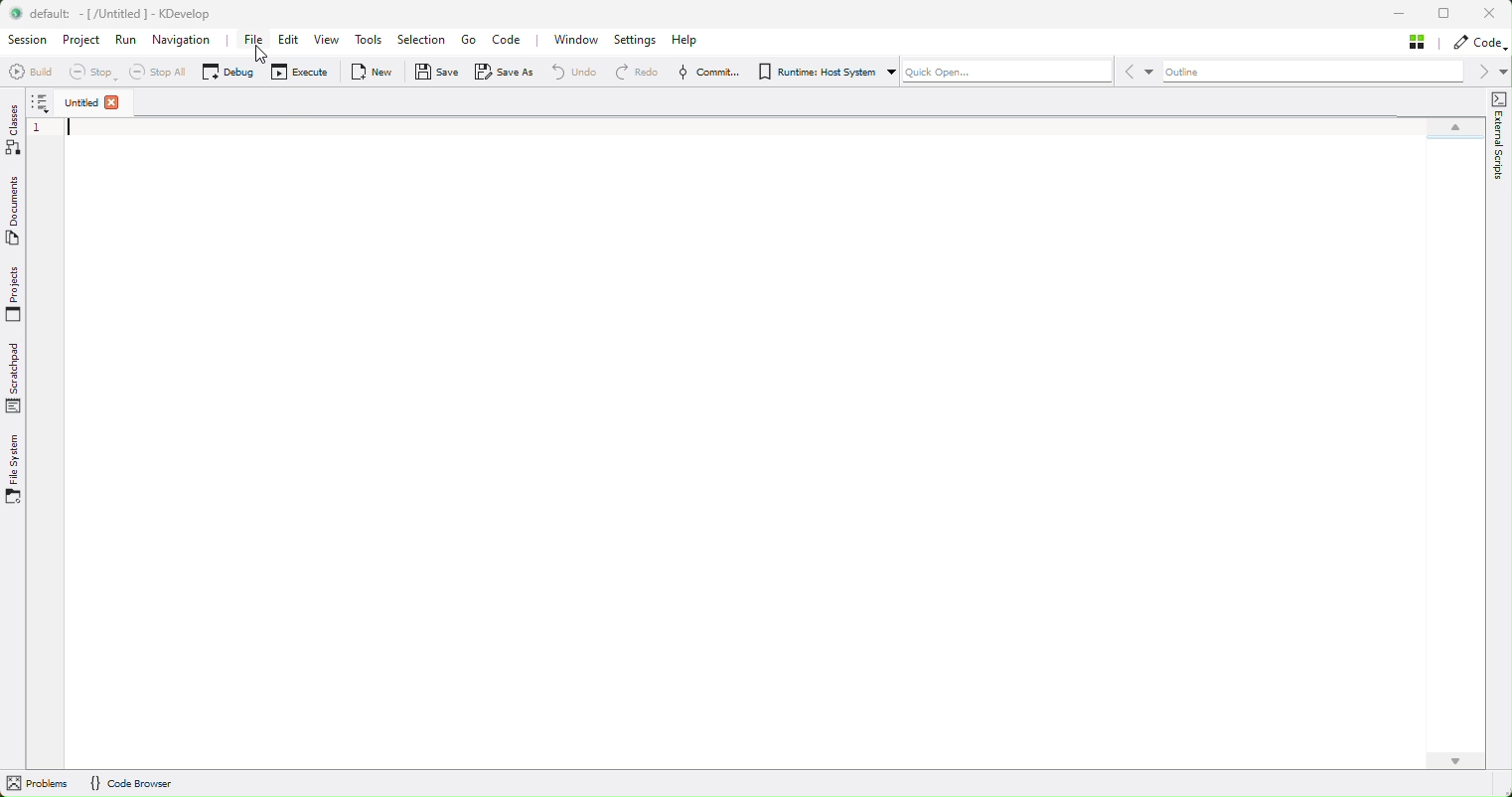  What do you see at coordinates (1455, 761) in the screenshot?
I see `scroll down` at bounding box center [1455, 761].